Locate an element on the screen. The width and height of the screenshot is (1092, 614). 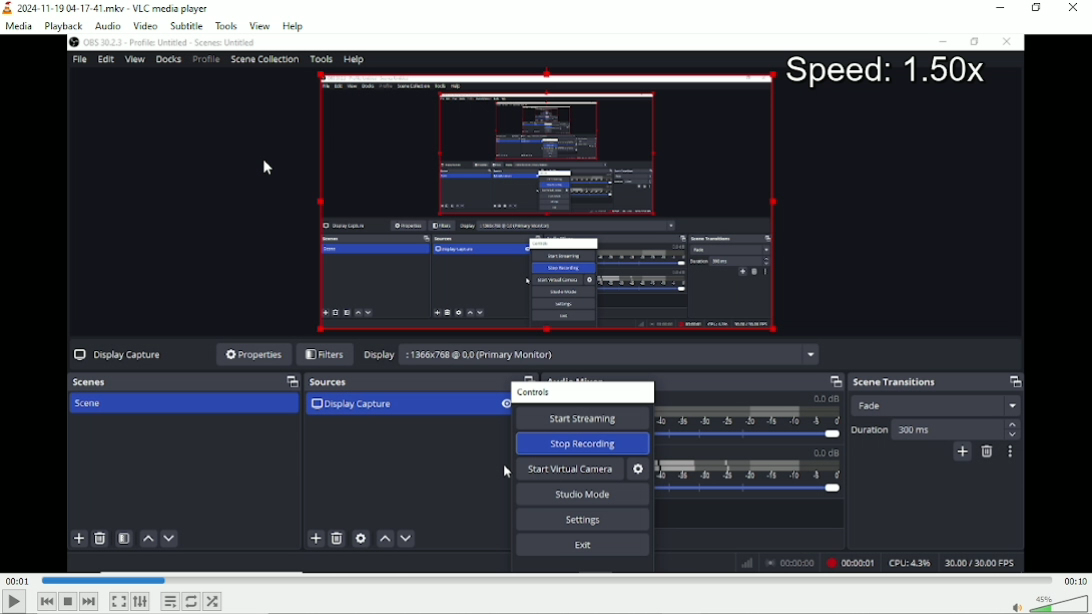
minimize is located at coordinates (995, 8).